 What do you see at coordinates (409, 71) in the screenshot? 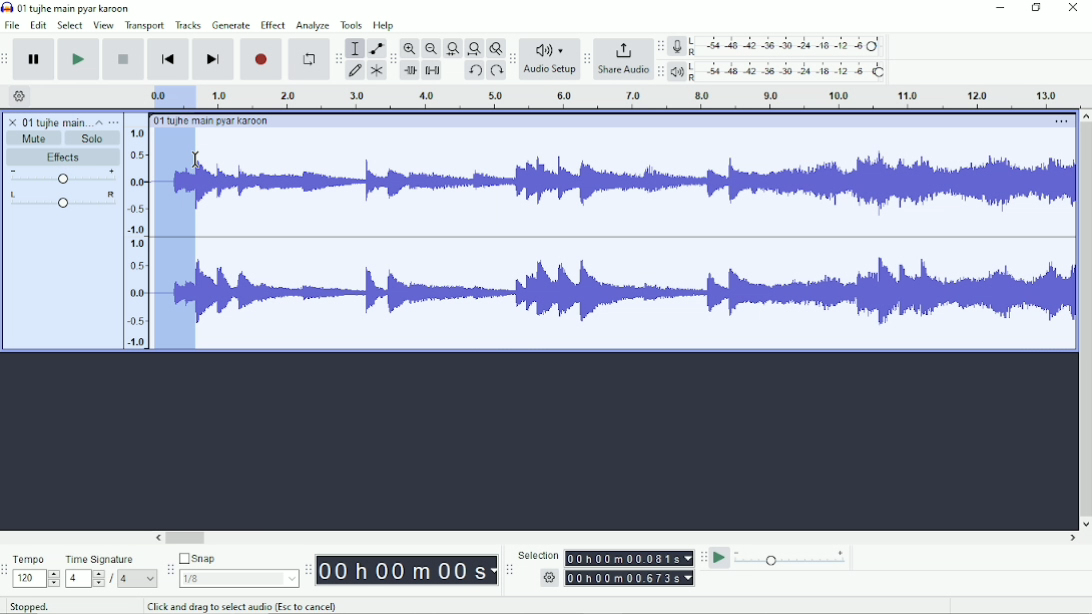
I see `Trim audio outside selection` at bounding box center [409, 71].